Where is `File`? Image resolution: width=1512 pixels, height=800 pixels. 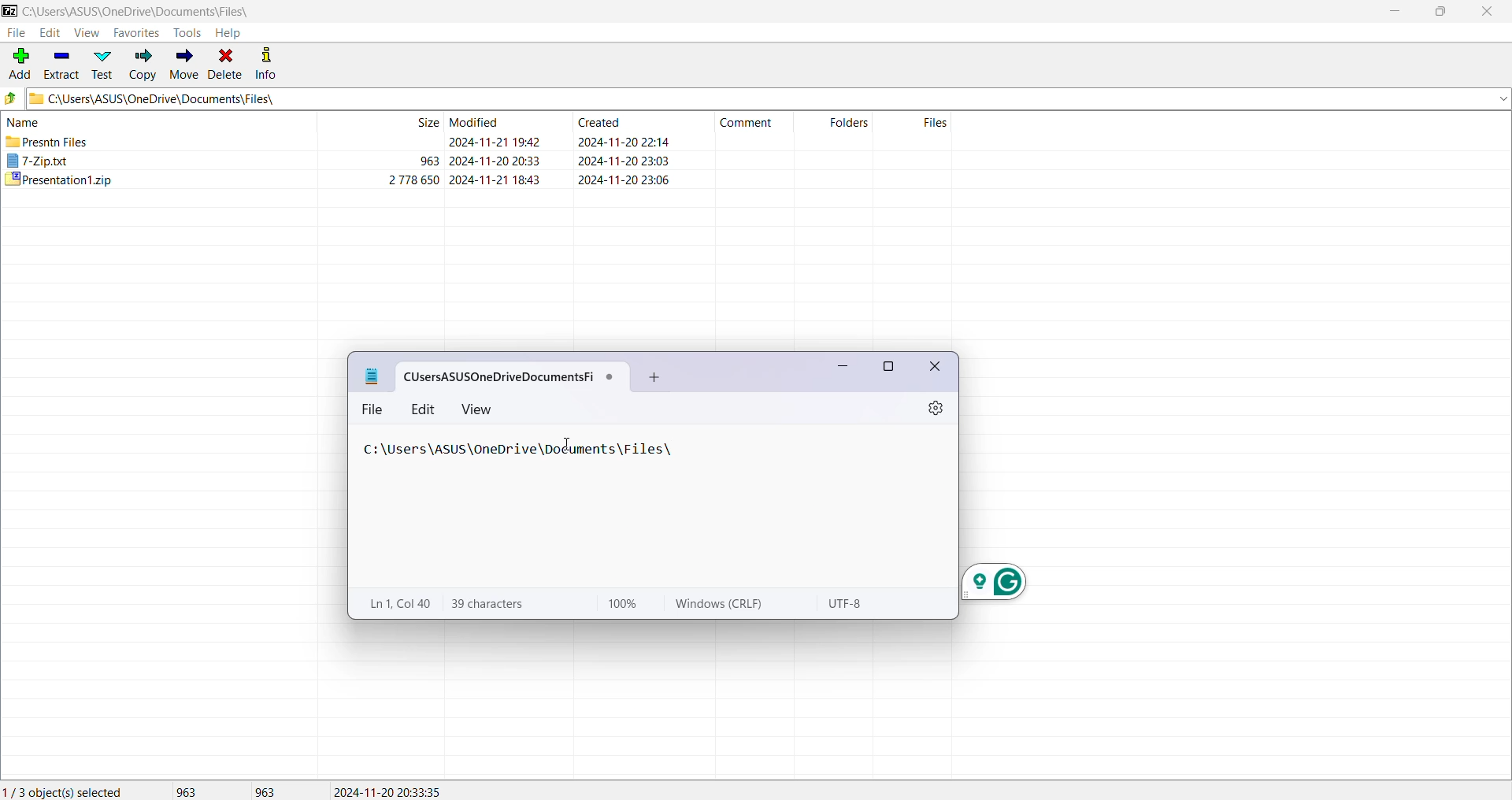 File is located at coordinates (374, 410).